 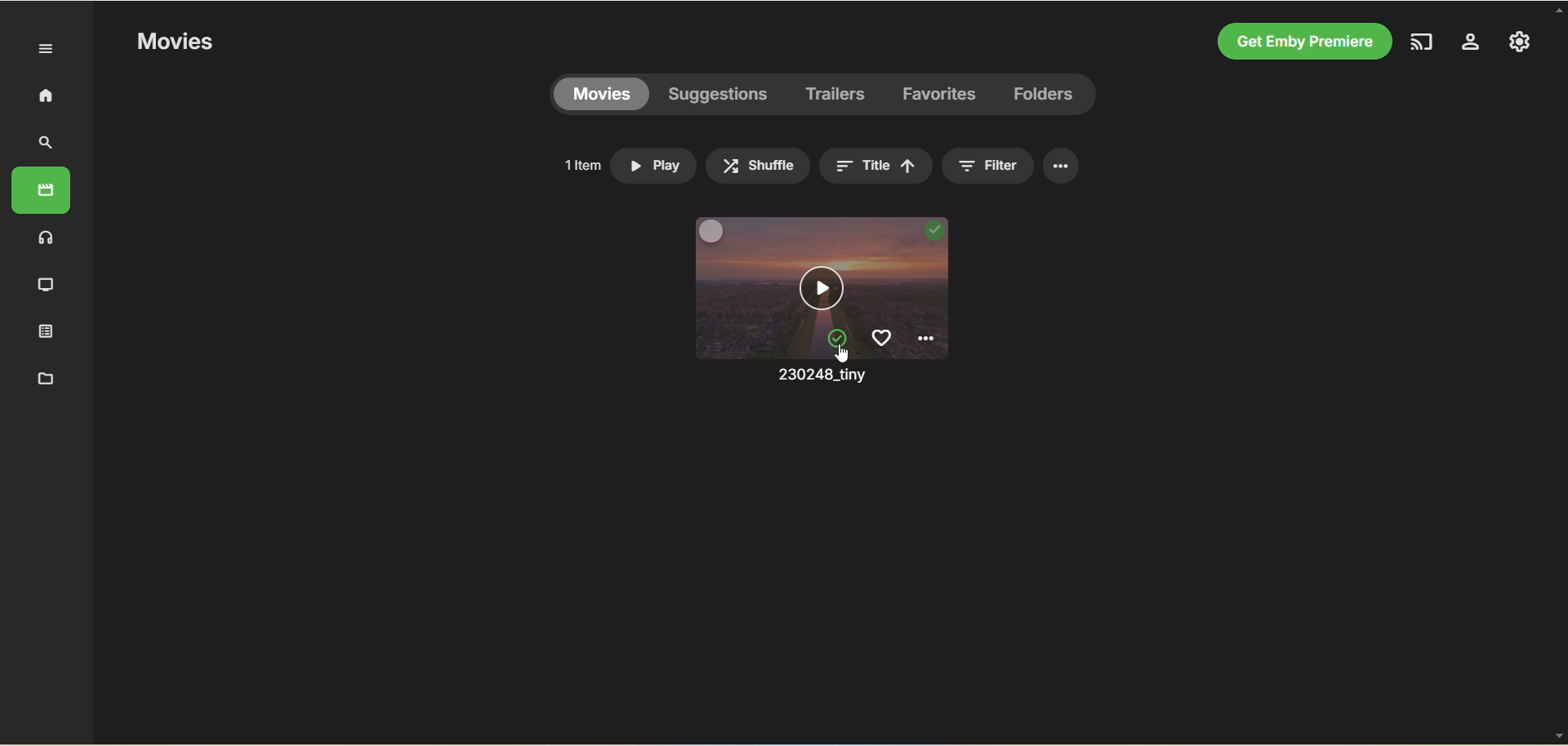 What do you see at coordinates (815, 377) in the screenshot?
I see `230248_tiny` at bounding box center [815, 377].